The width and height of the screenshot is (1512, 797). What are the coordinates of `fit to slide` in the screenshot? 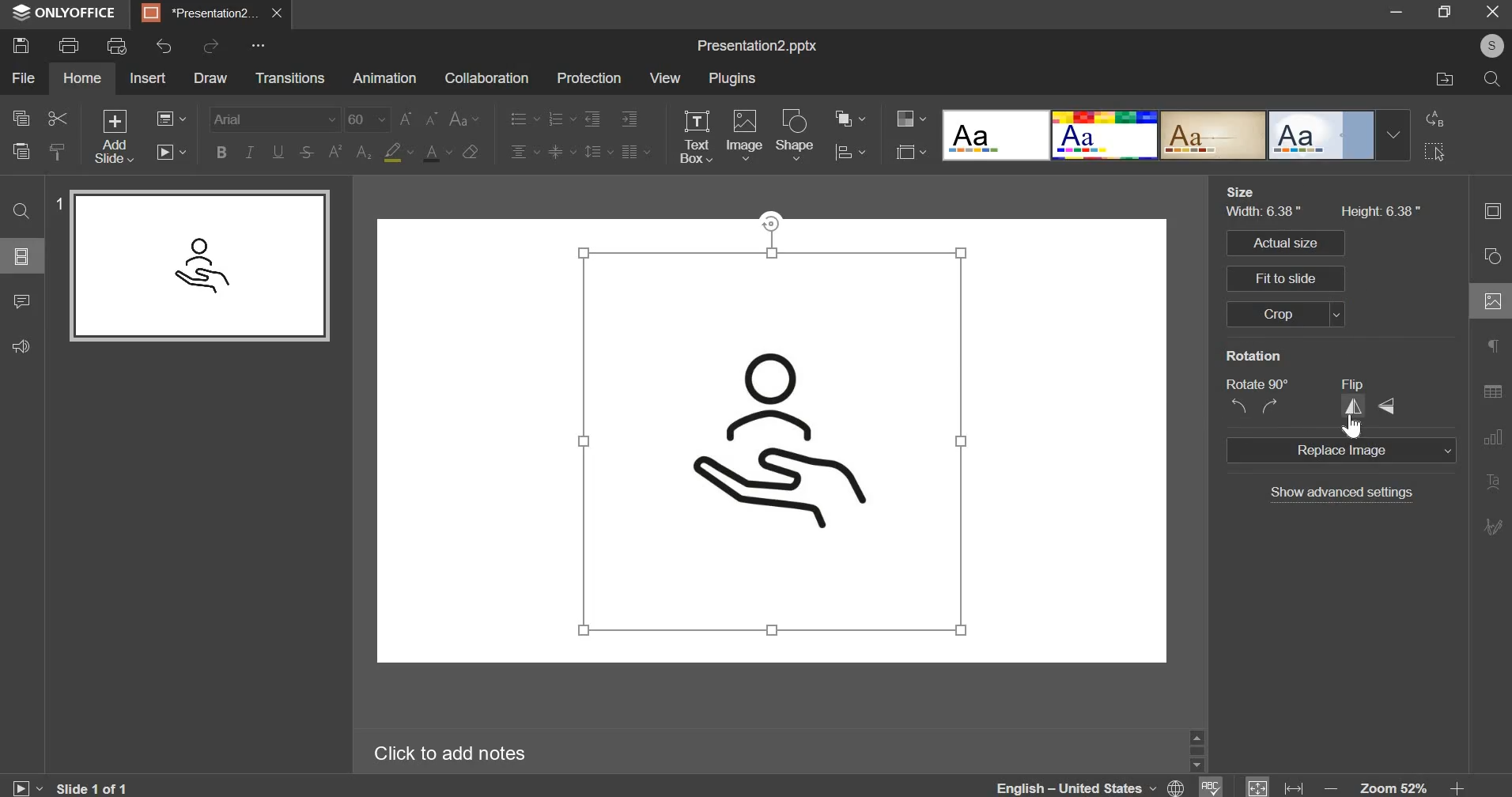 It's located at (1285, 278).